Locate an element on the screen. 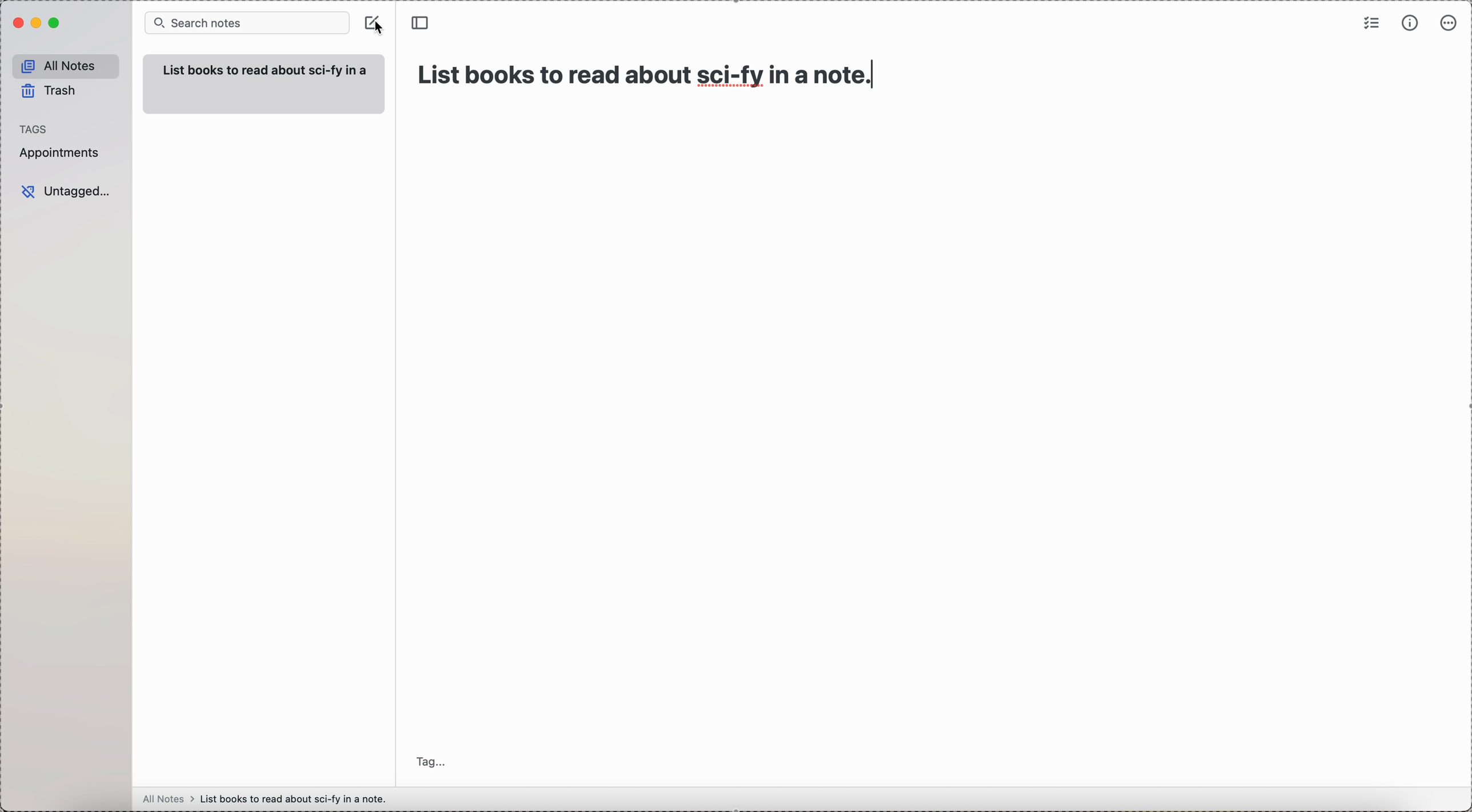 This screenshot has width=1472, height=812. create note is located at coordinates (367, 21).